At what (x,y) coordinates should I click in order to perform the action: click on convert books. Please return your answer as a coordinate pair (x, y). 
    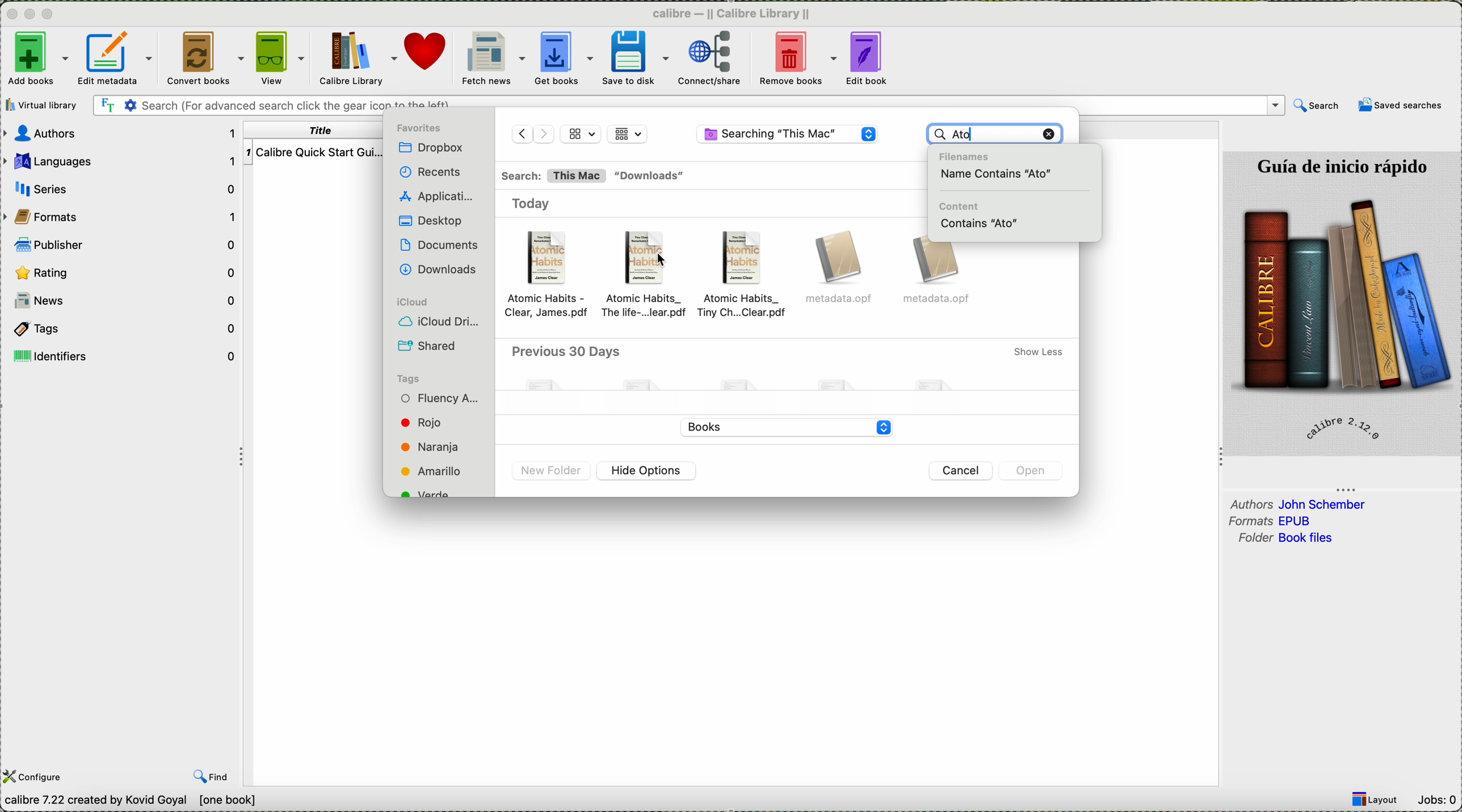
    Looking at the image, I should click on (205, 57).